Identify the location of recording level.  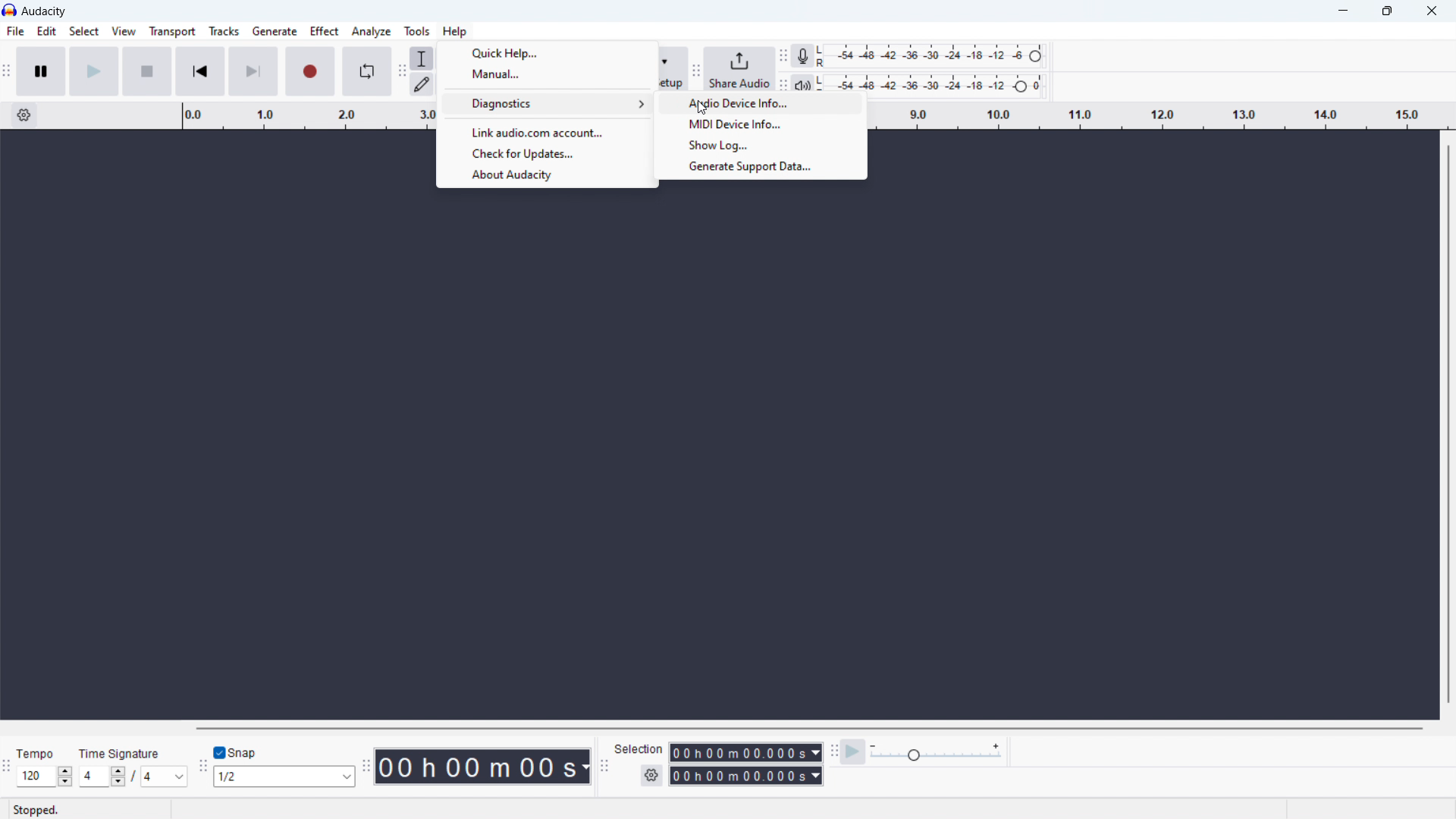
(929, 56).